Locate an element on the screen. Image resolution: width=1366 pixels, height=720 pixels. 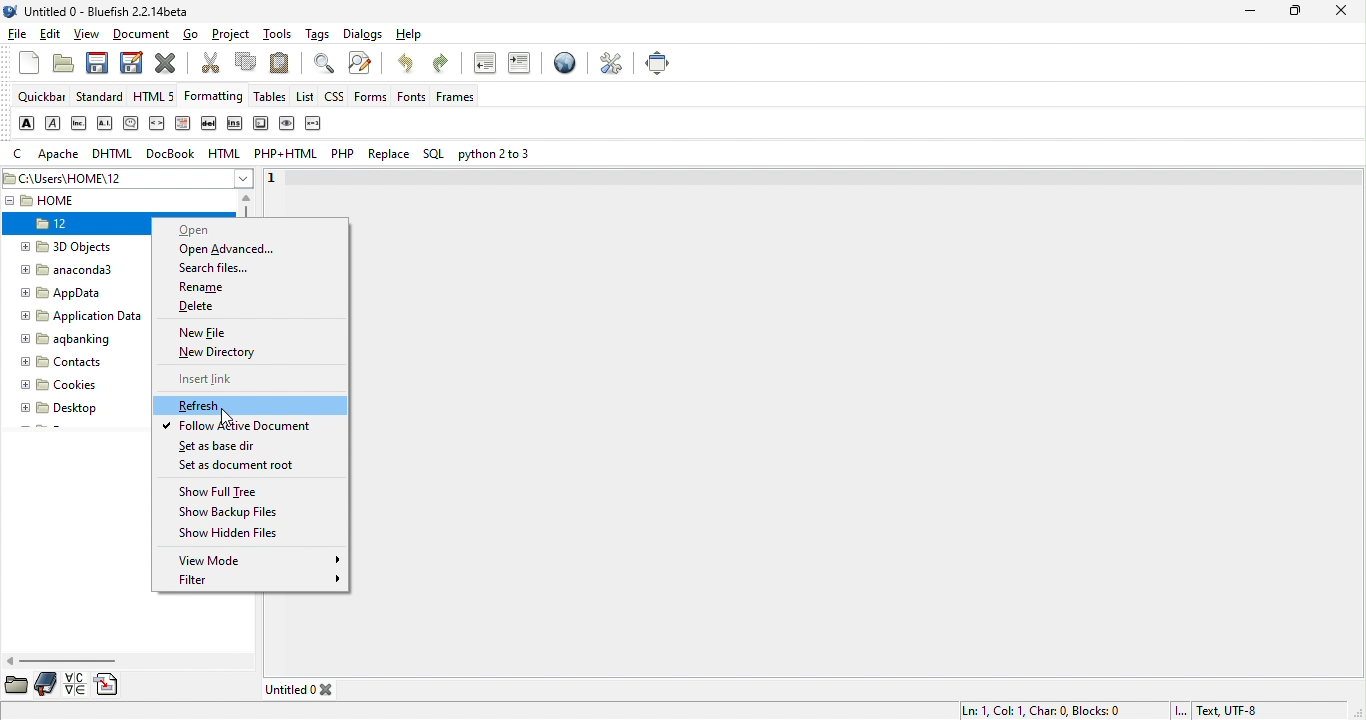
redo is located at coordinates (447, 67).